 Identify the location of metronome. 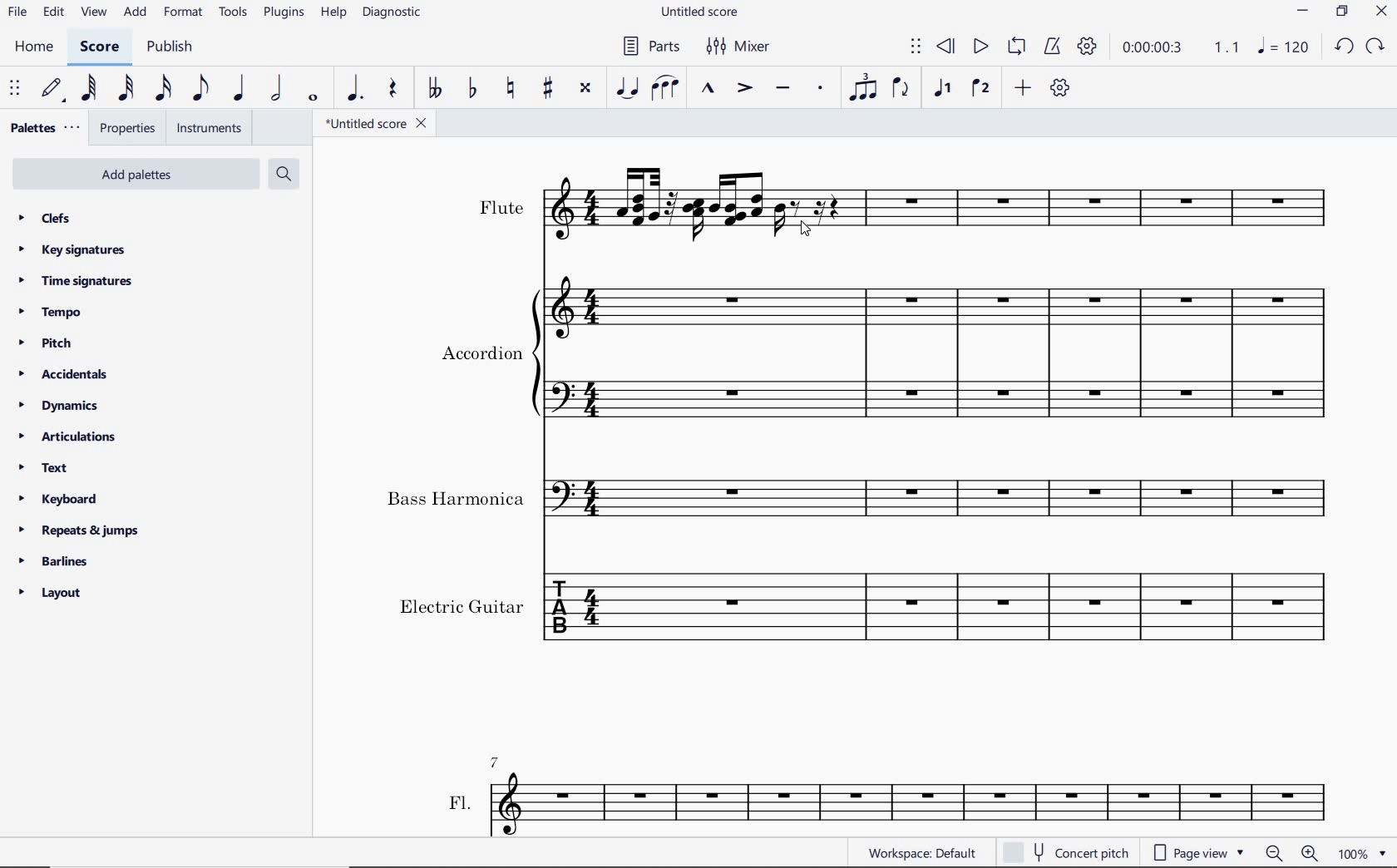
(1055, 47).